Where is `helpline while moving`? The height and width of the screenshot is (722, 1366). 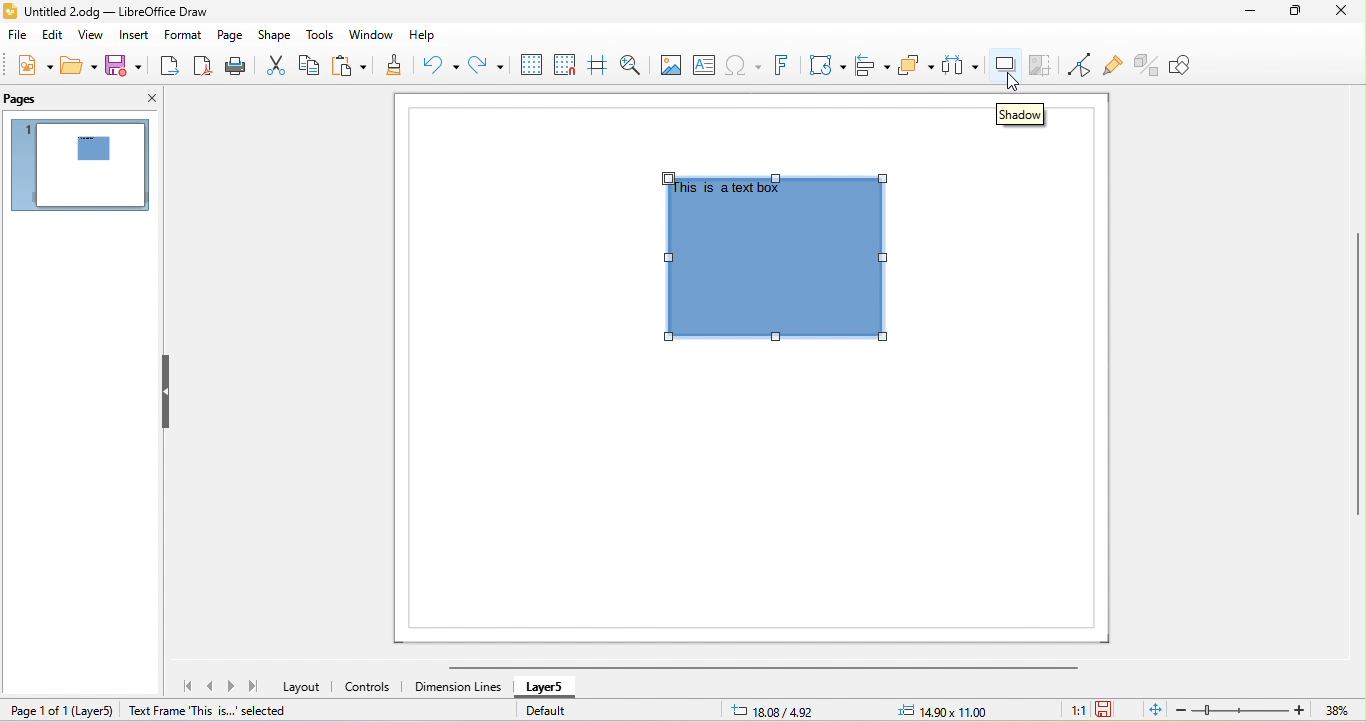
helpline while moving is located at coordinates (602, 65).